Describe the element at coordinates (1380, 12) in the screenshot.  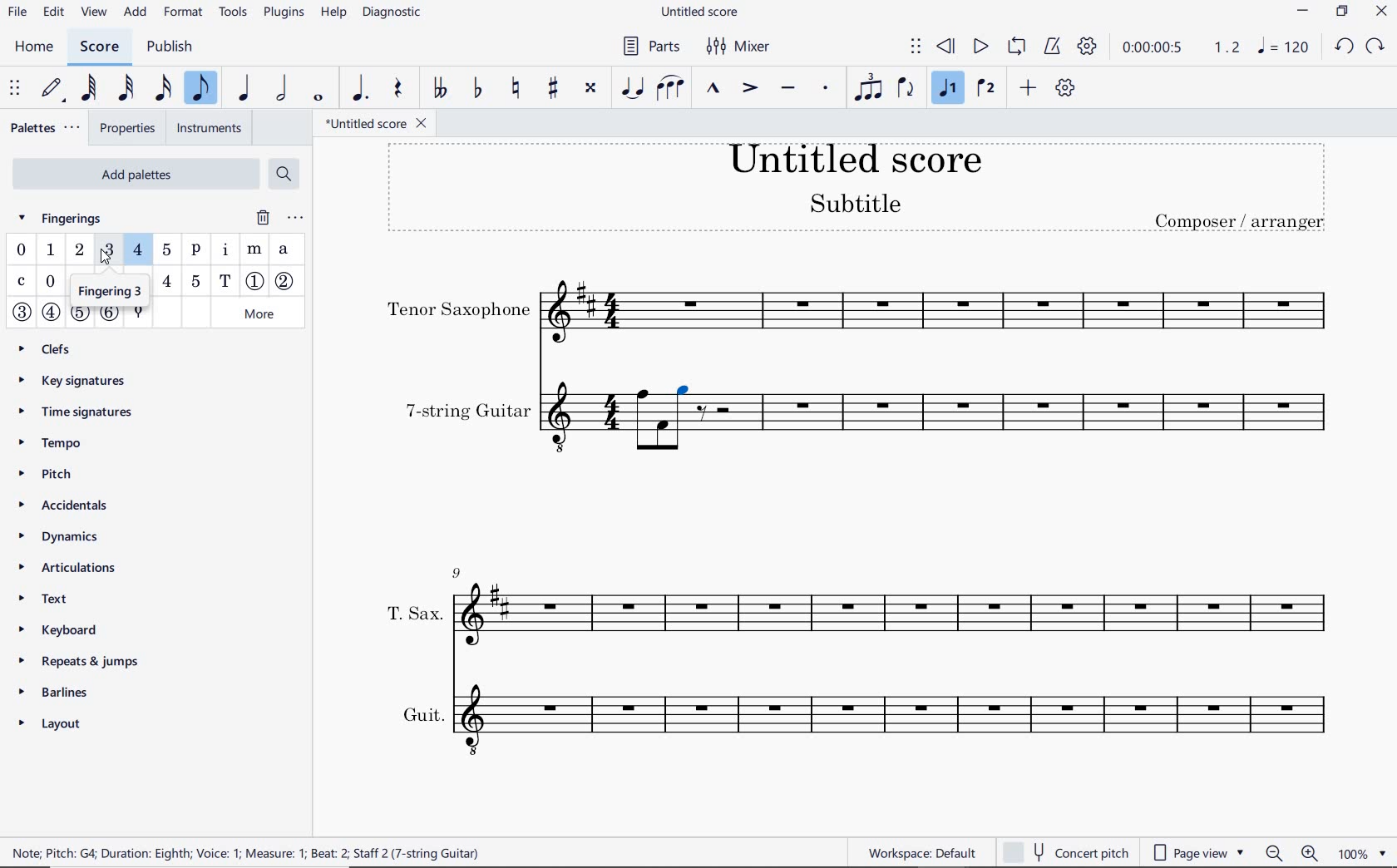
I see `CLOSE` at that location.